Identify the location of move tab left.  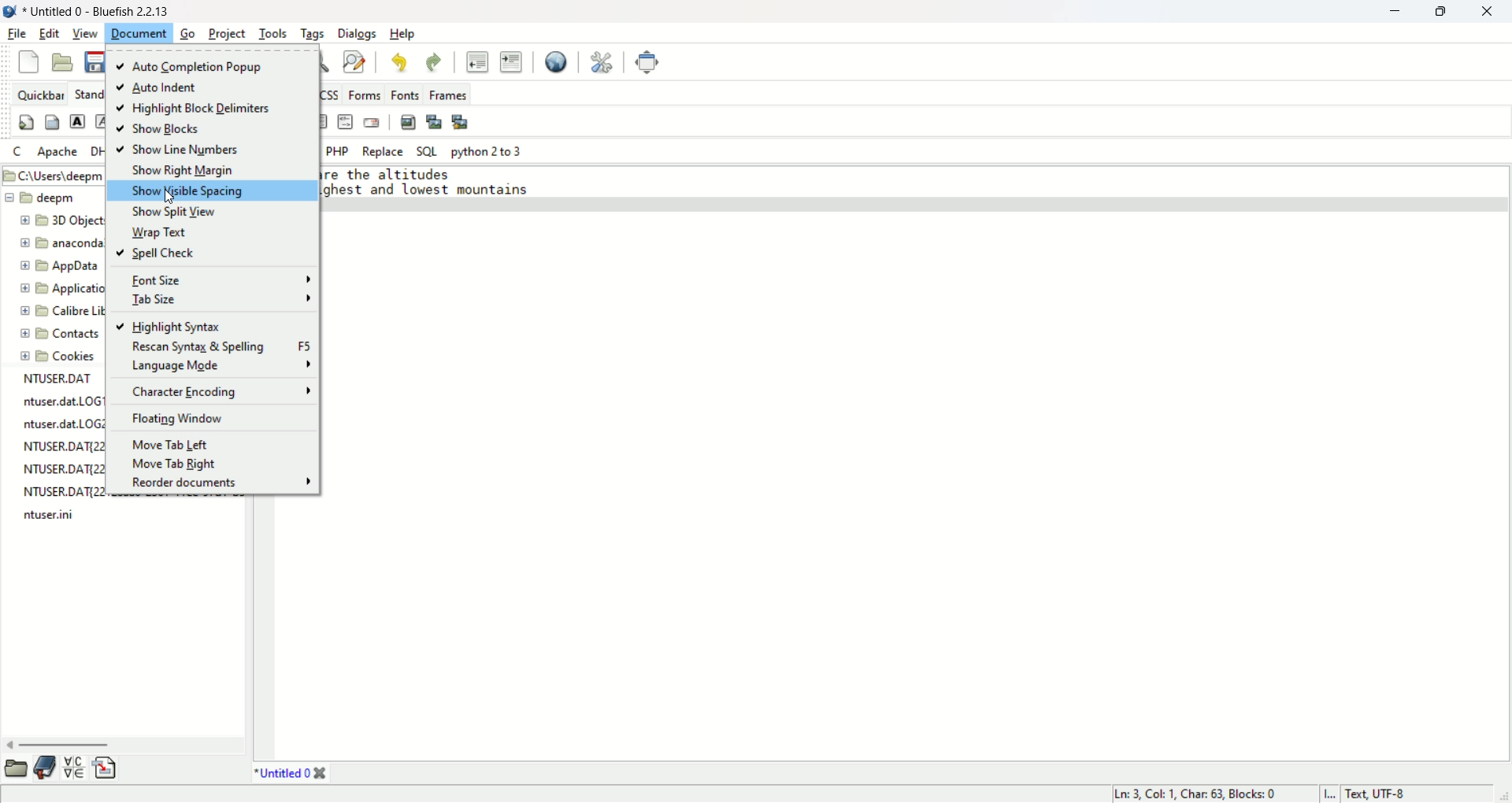
(172, 444).